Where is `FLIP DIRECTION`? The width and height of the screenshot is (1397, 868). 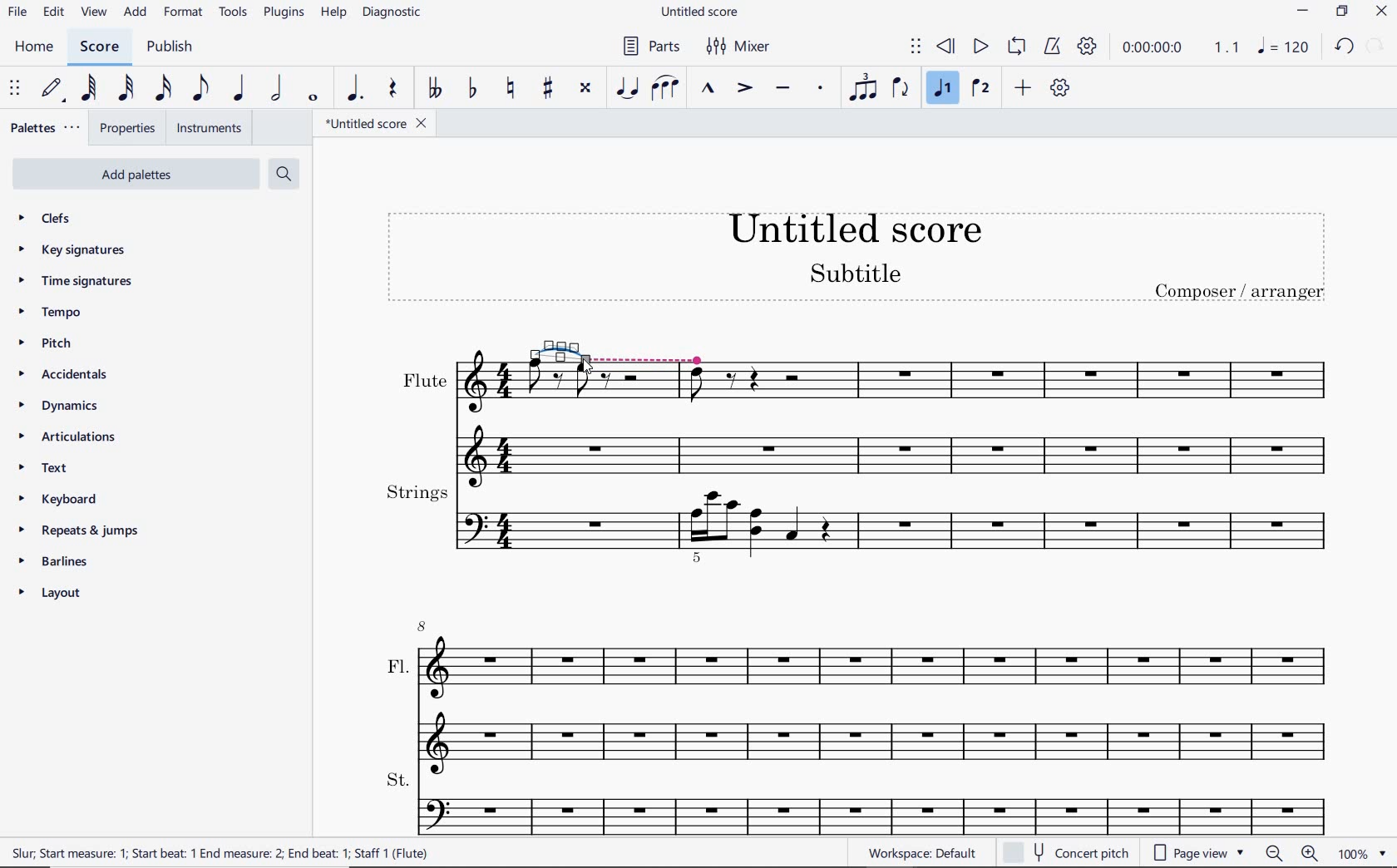
FLIP DIRECTION is located at coordinates (903, 92).